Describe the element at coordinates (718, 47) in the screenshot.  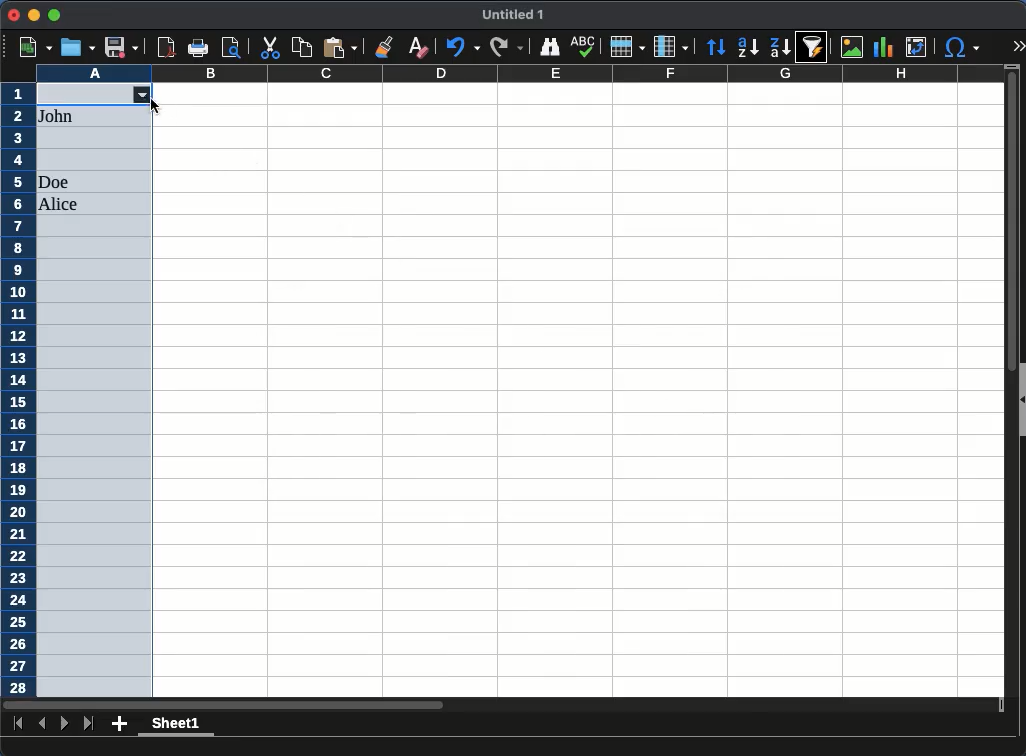
I see `sort` at that location.